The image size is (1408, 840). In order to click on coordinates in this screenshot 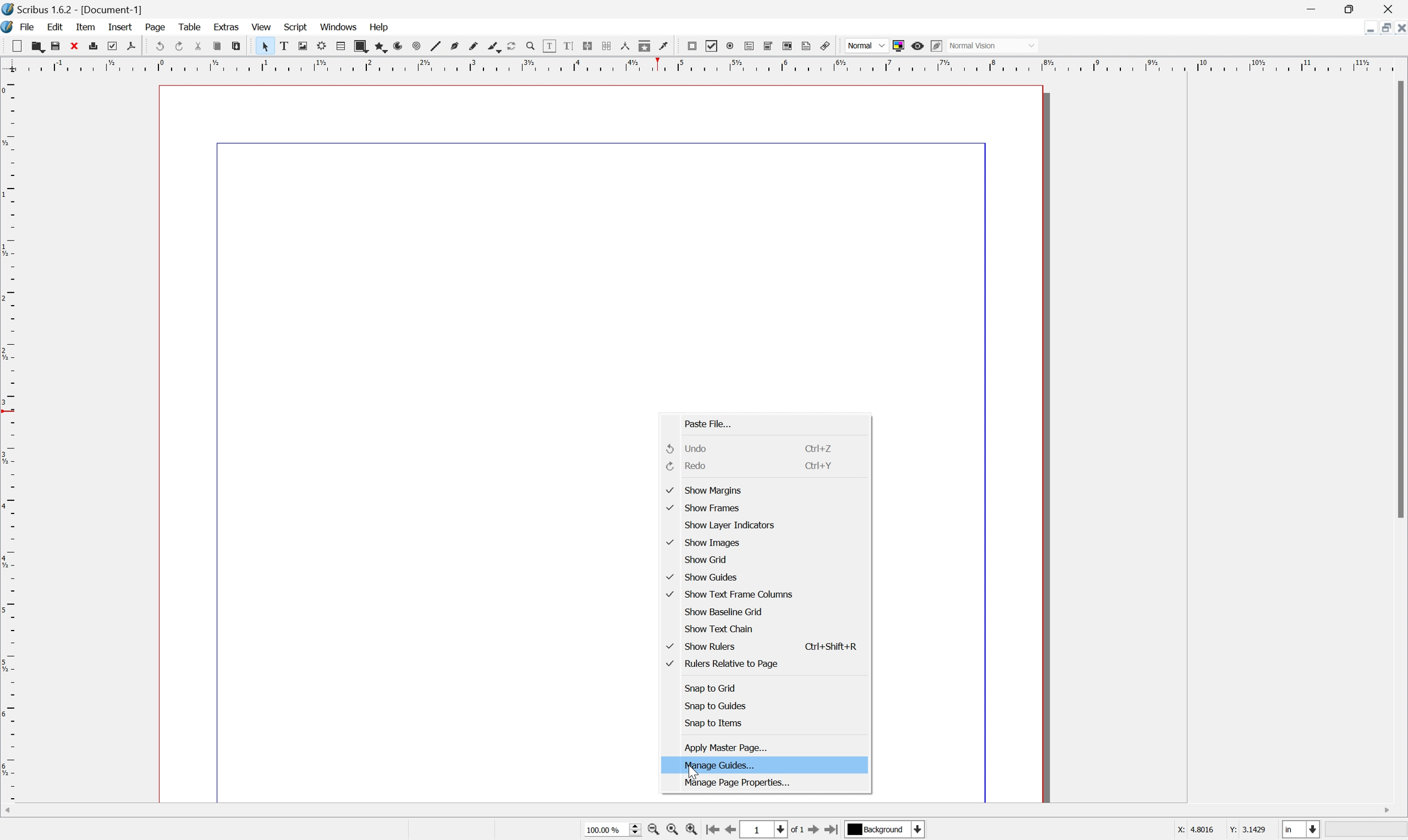, I will do `click(1222, 832)`.